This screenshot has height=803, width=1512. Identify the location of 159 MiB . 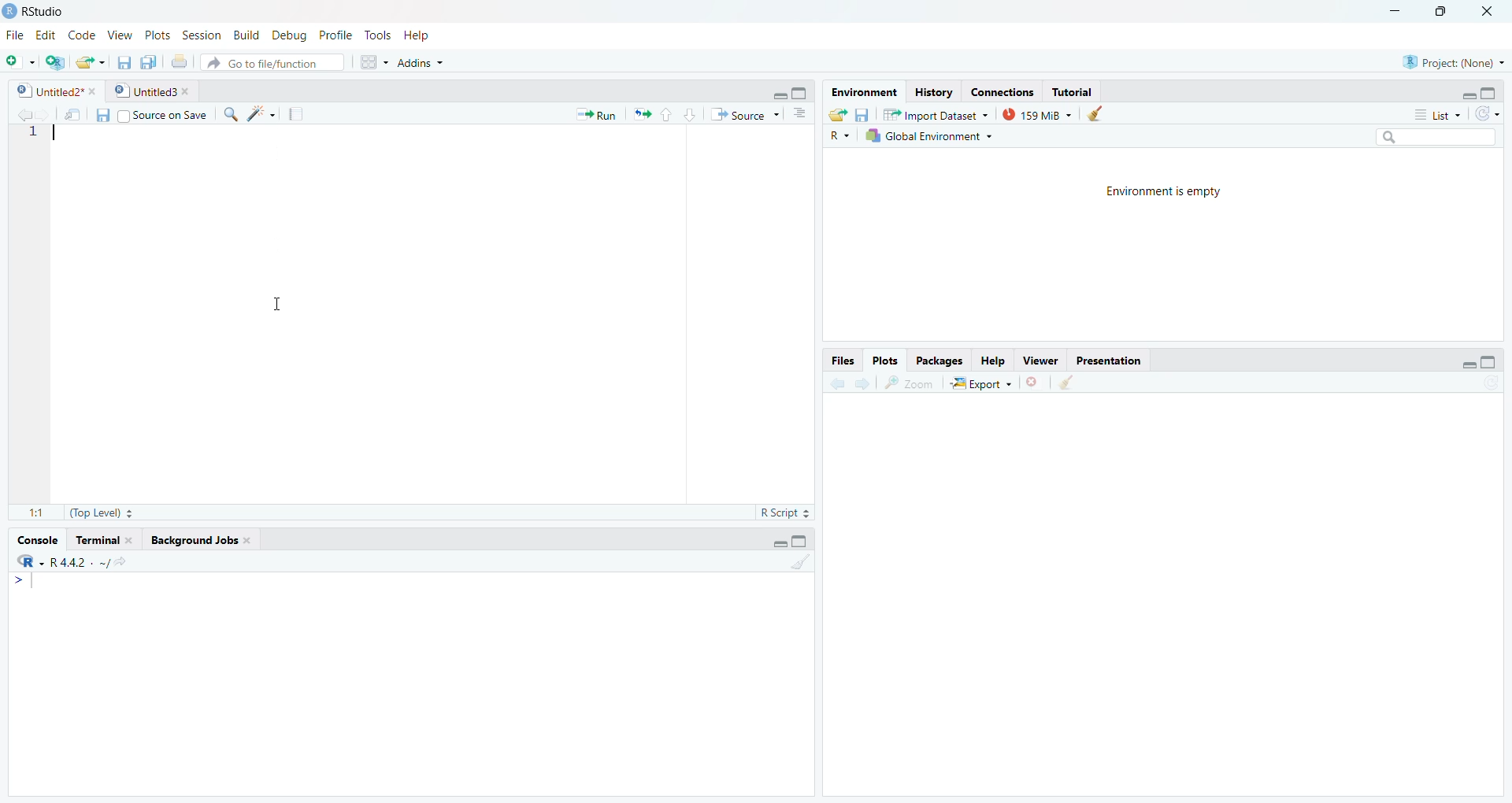
(1035, 114).